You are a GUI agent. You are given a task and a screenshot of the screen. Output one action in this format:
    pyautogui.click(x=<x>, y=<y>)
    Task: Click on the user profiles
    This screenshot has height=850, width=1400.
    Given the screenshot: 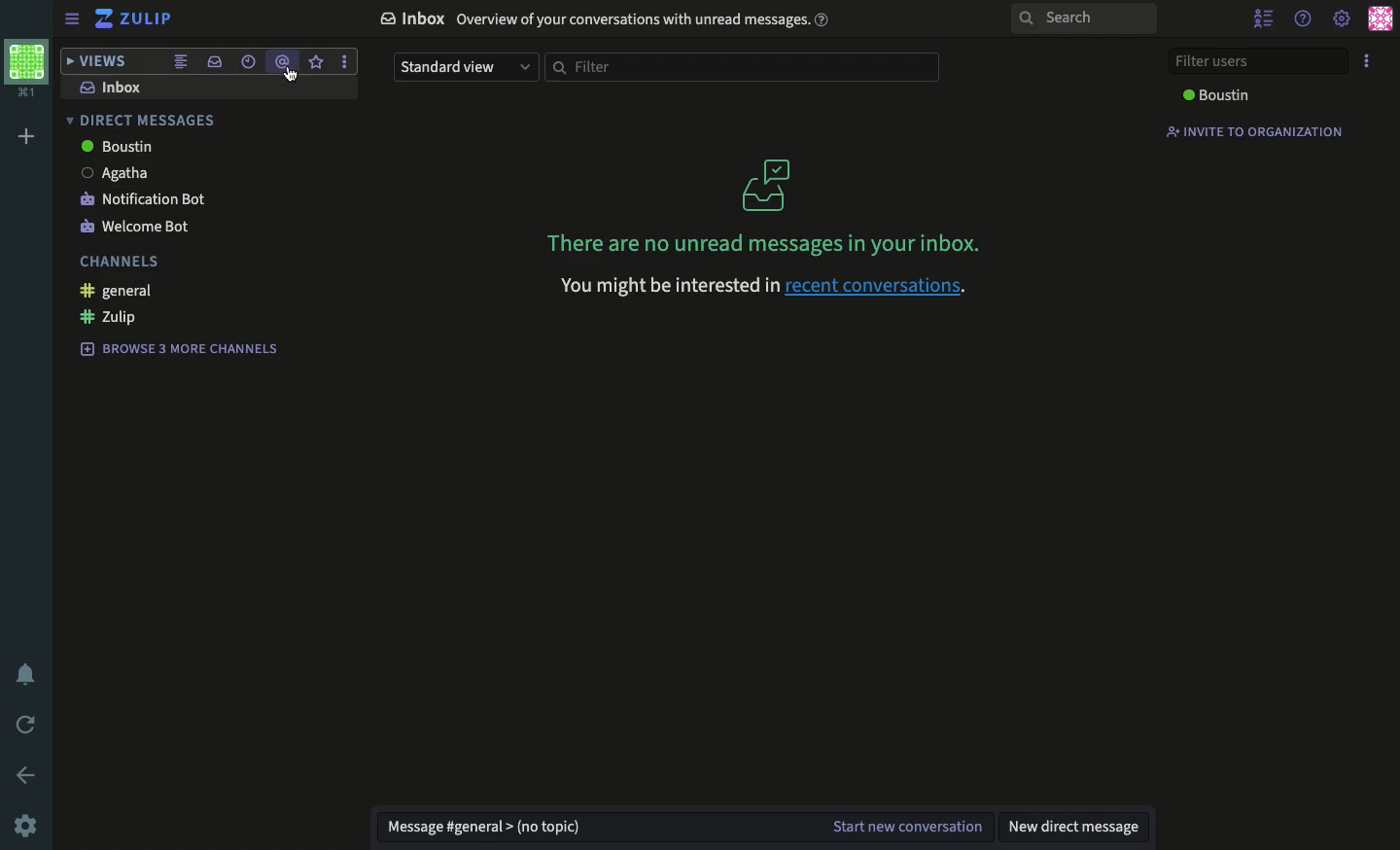 What is the action you would take?
    pyautogui.click(x=1381, y=19)
    